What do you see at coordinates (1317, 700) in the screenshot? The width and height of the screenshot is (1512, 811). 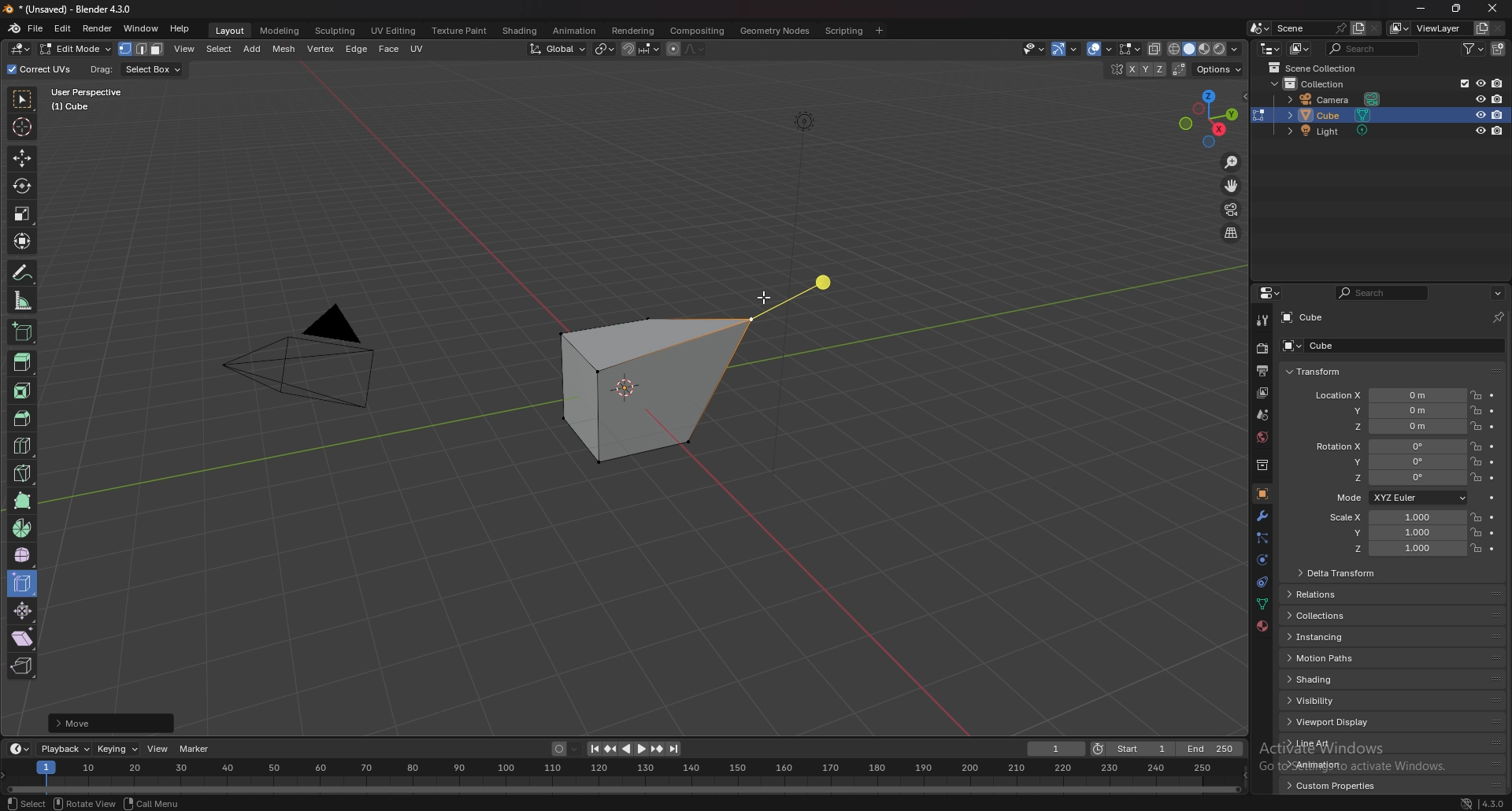 I see `visibility` at bounding box center [1317, 700].